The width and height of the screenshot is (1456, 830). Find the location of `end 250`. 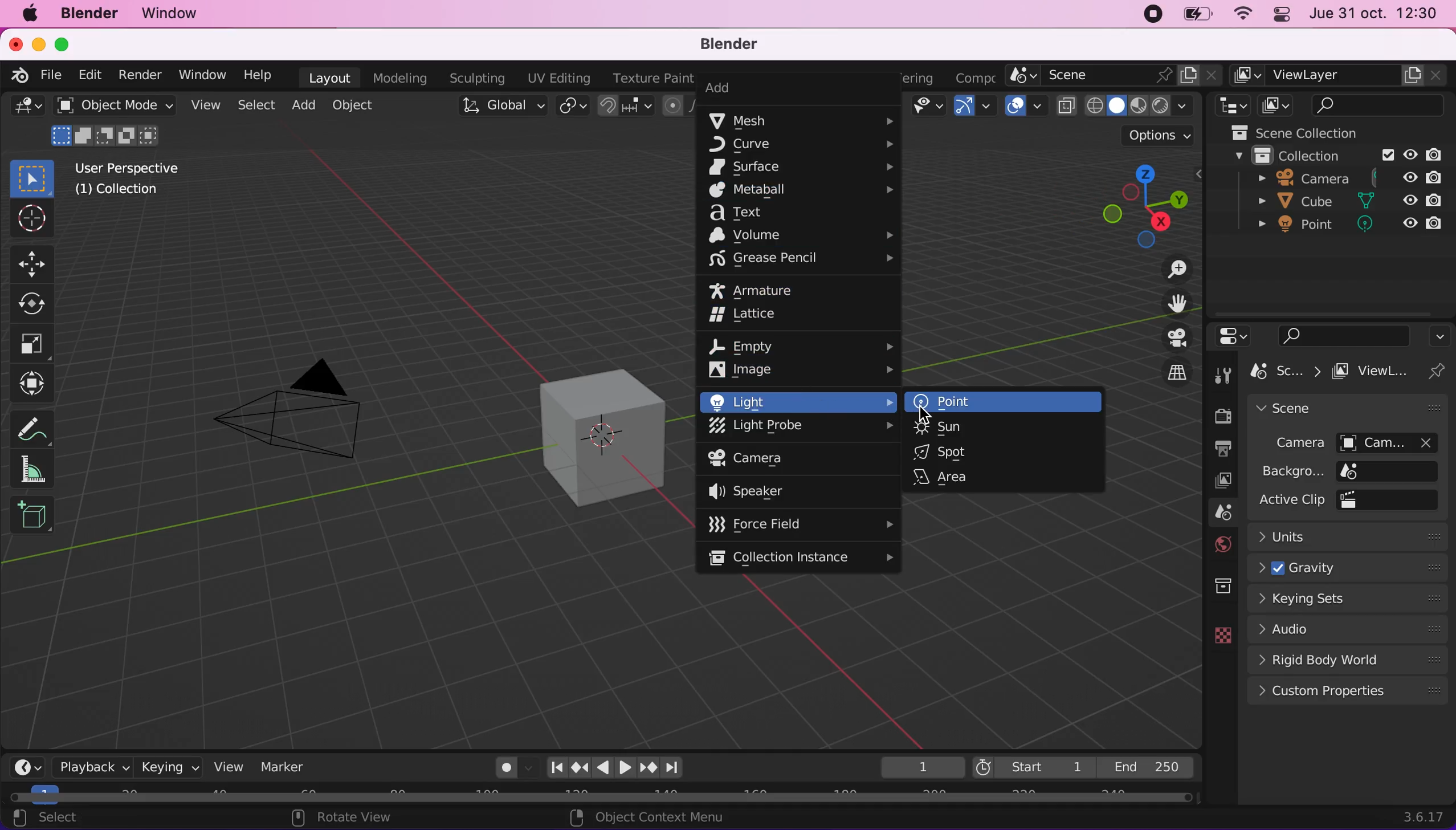

end 250 is located at coordinates (1150, 767).